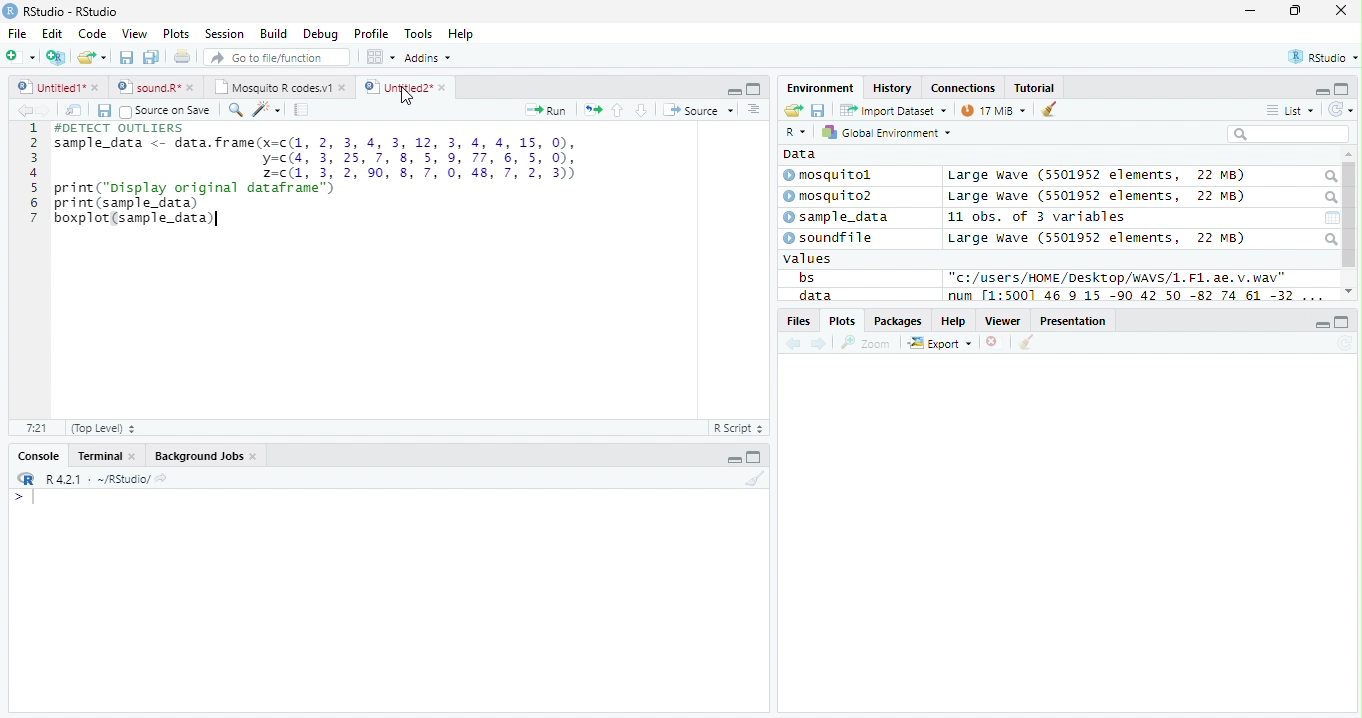 This screenshot has height=718, width=1362. I want to click on data, so click(813, 295).